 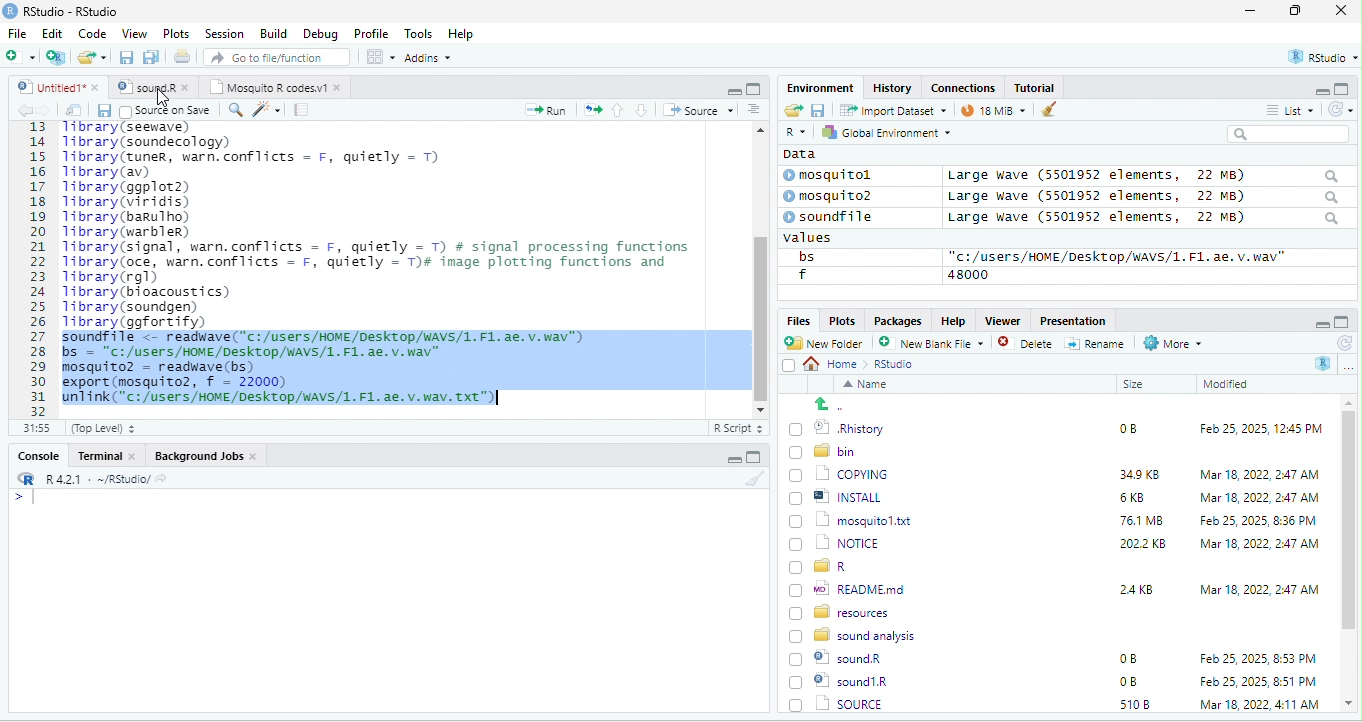 What do you see at coordinates (1121, 426) in the screenshot?
I see `0B` at bounding box center [1121, 426].